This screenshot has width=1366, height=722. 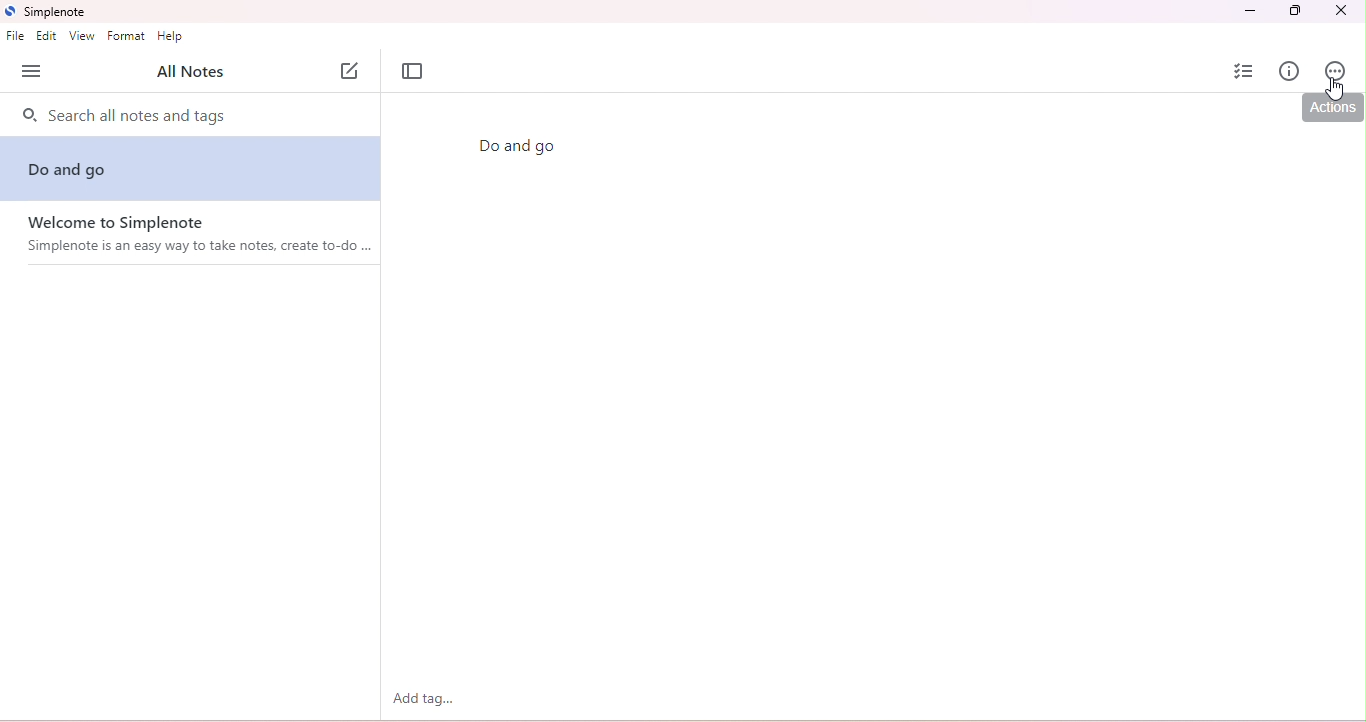 I want to click on open side bar, so click(x=31, y=72).